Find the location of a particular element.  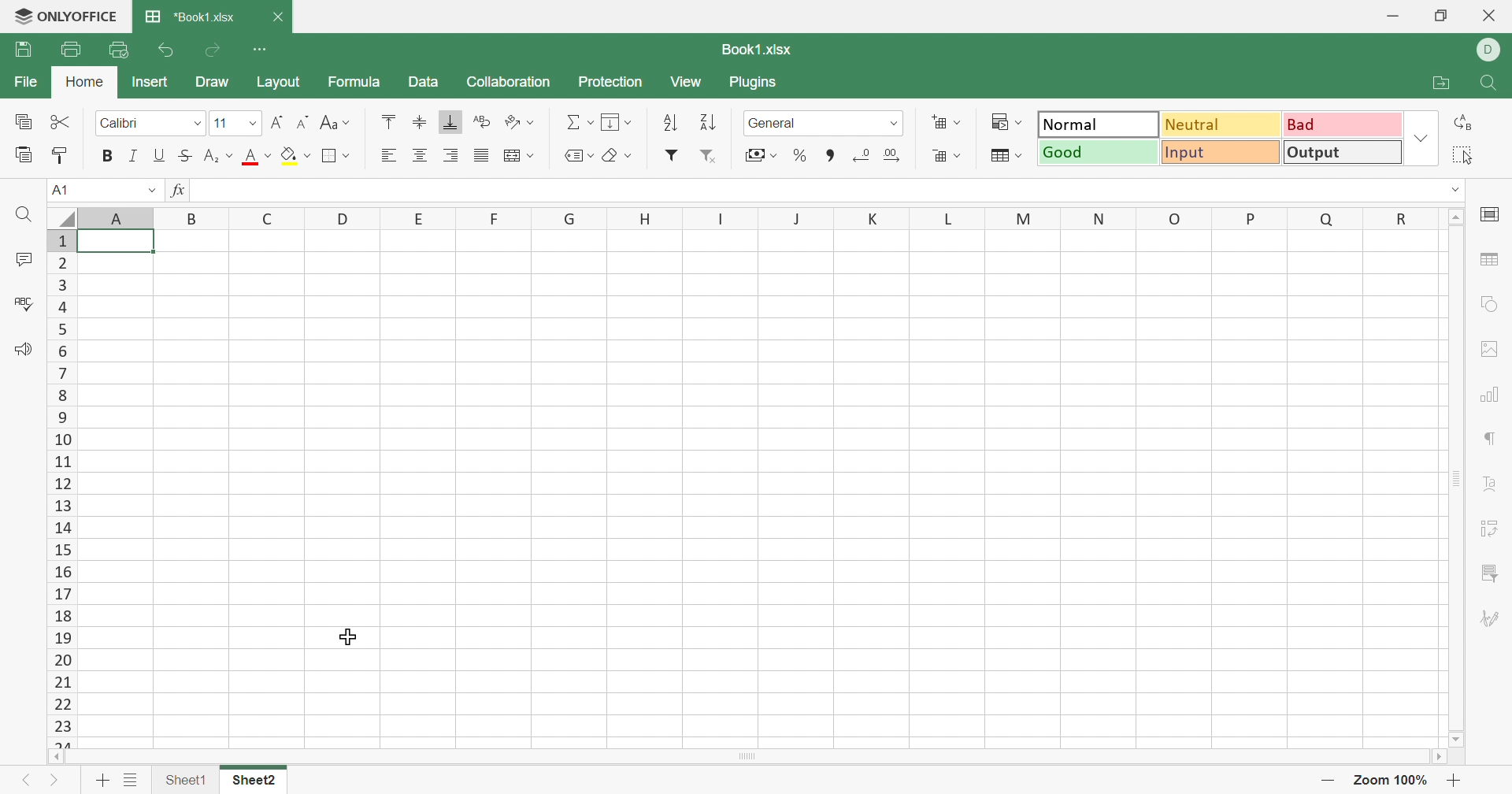

Drop down is located at coordinates (350, 155).